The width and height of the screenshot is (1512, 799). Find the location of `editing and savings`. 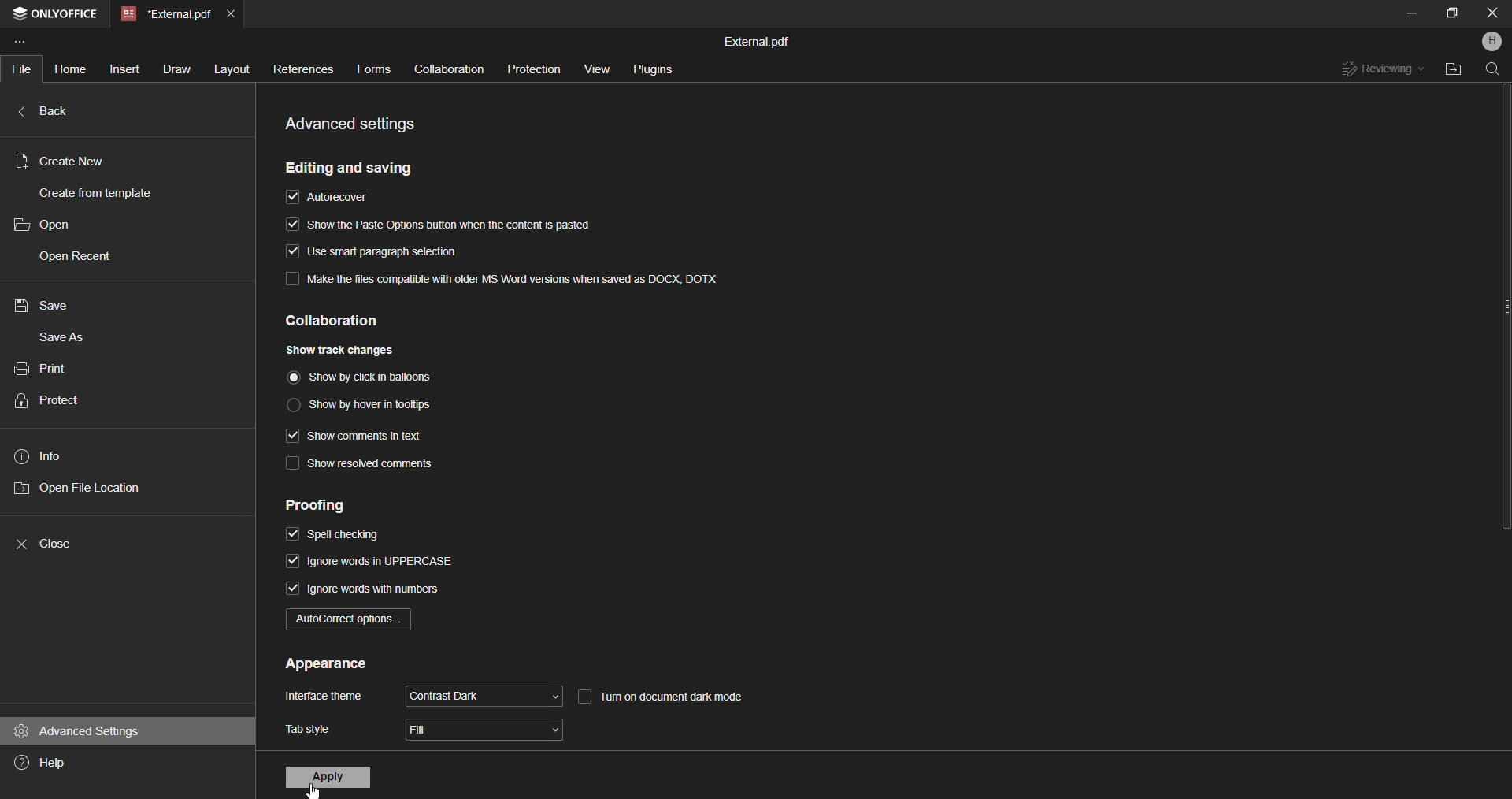

editing and savings is located at coordinates (354, 168).